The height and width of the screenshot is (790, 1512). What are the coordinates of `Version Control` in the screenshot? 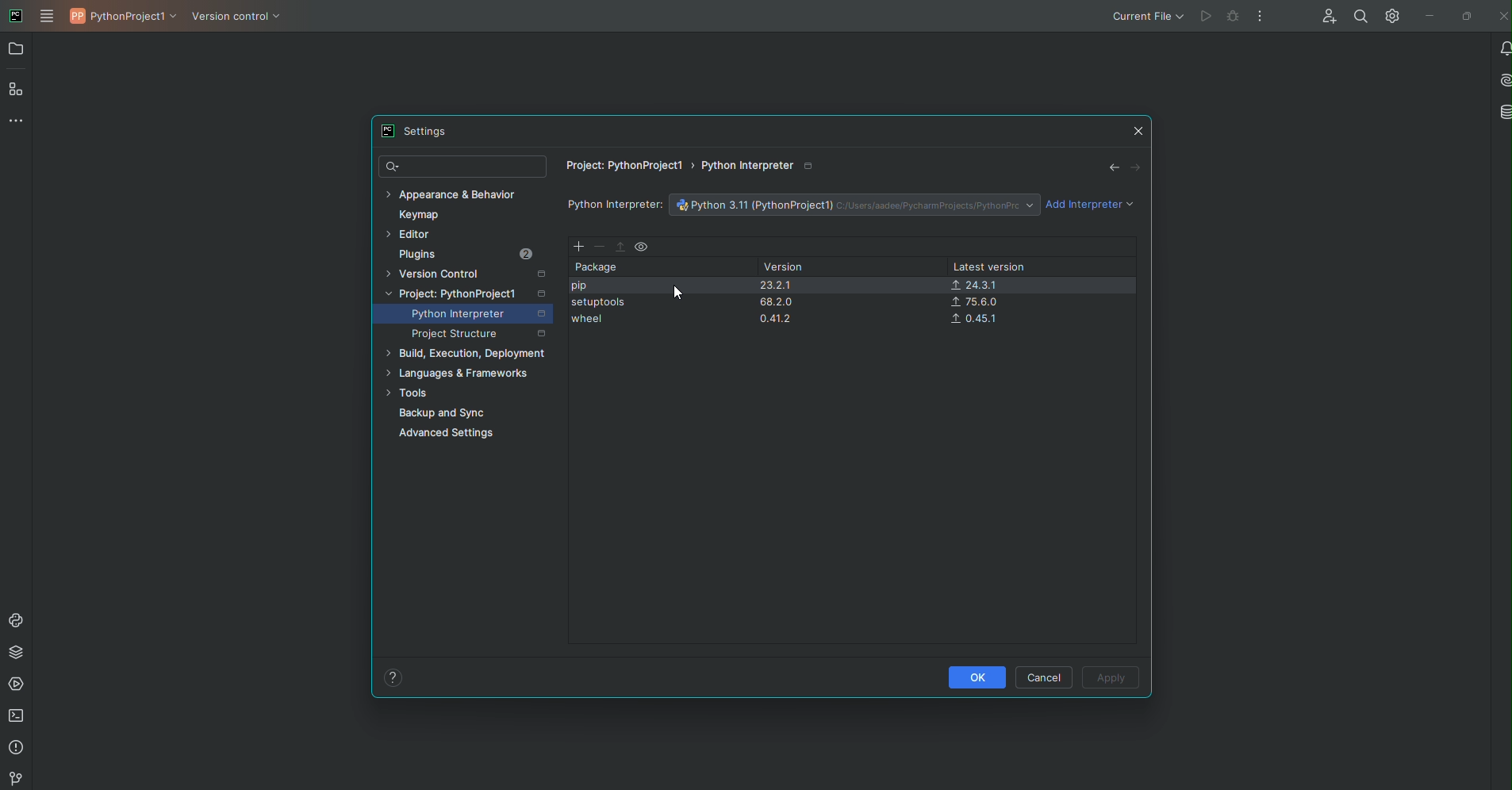 It's located at (472, 272).